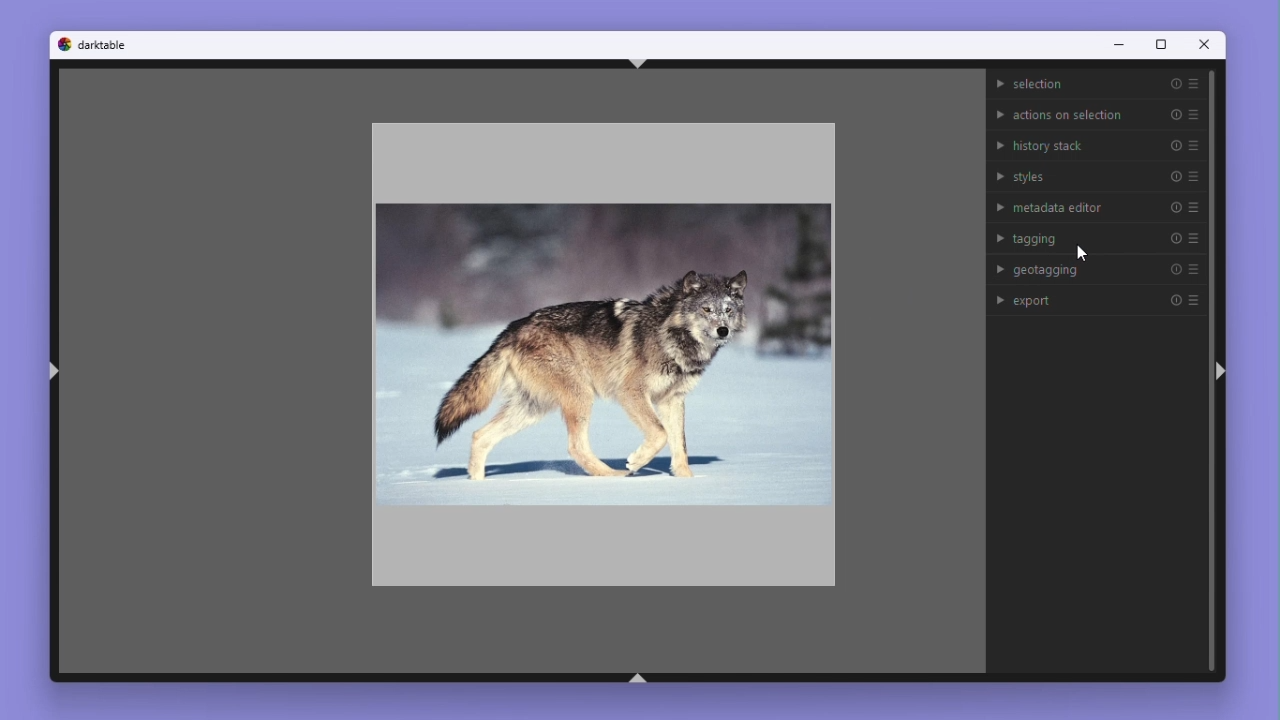 The height and width of the screenshot is (720, 1280). Describe the element at coordinates (53, 373) in the screenshot. I see `ctrl+shift+l` at that location.